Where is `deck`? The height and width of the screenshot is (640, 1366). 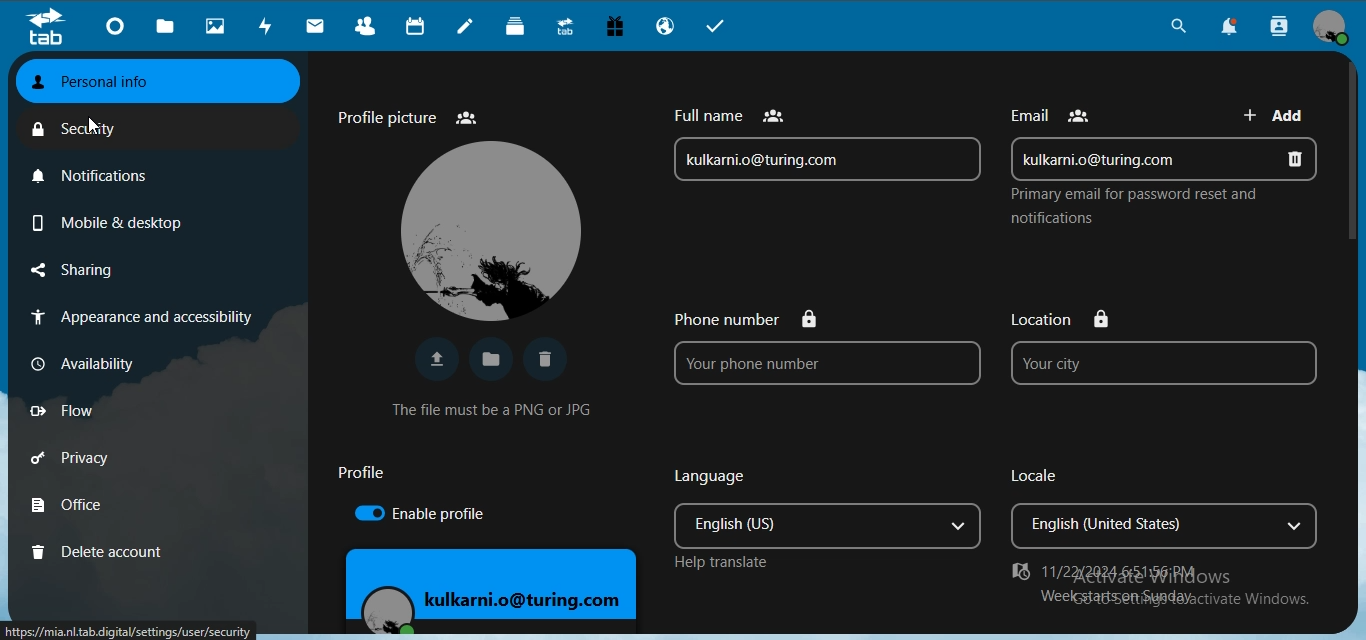 deck is located at coordinates (520, 28).